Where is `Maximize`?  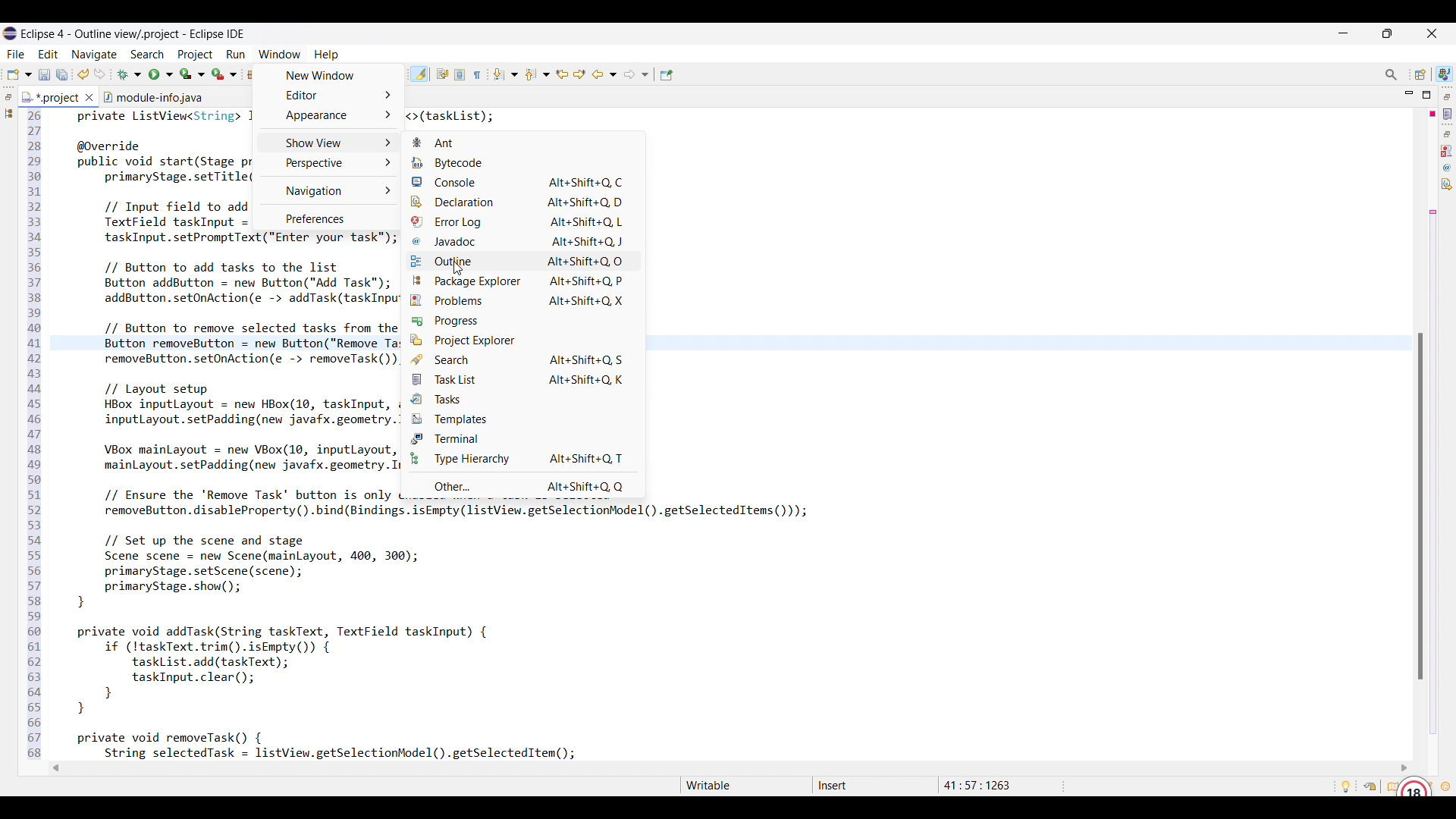
Maximize is located at coordinates (1426, 95).